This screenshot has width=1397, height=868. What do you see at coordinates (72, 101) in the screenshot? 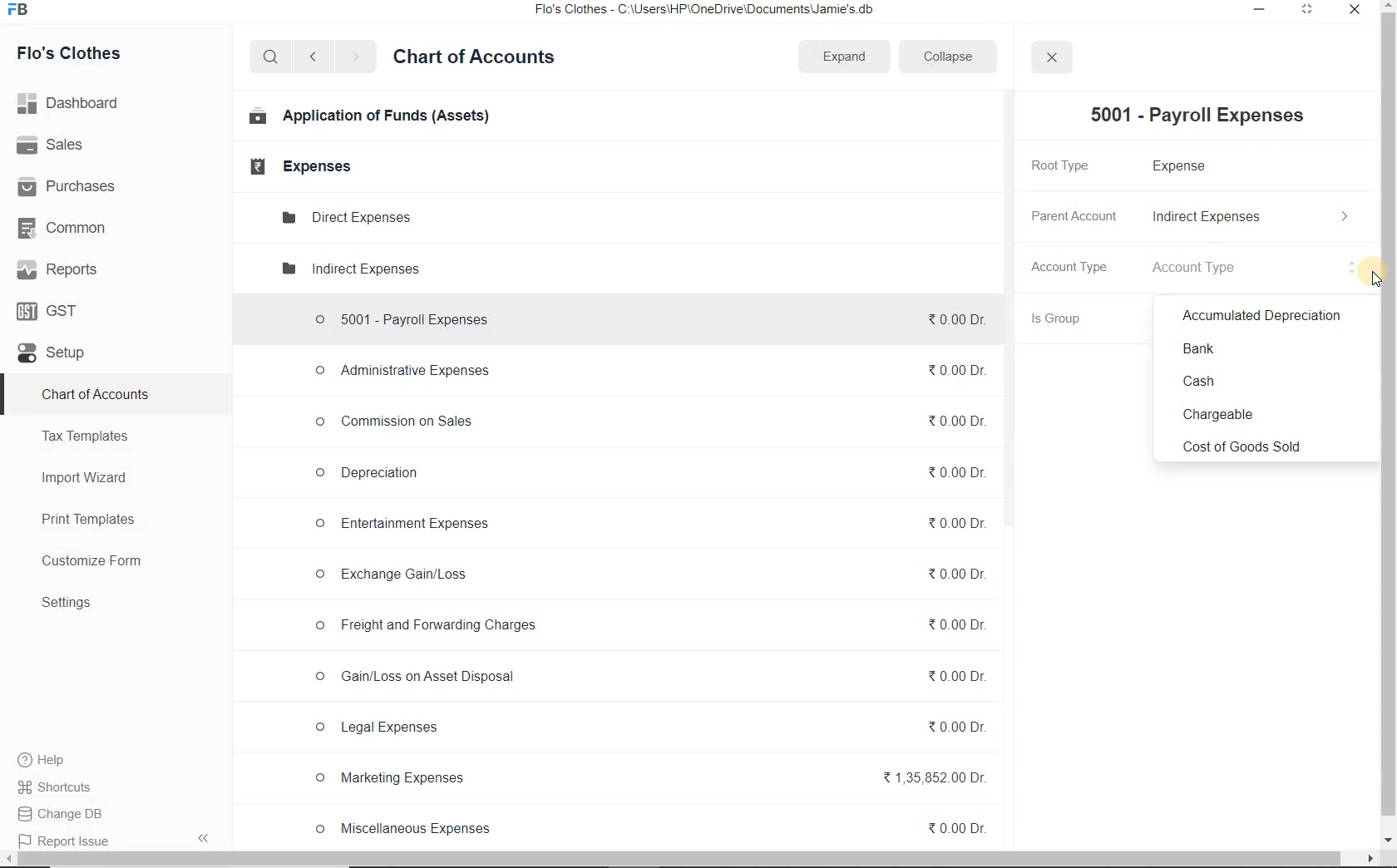
I see `Dashboard` at bounding box center [72, 101].